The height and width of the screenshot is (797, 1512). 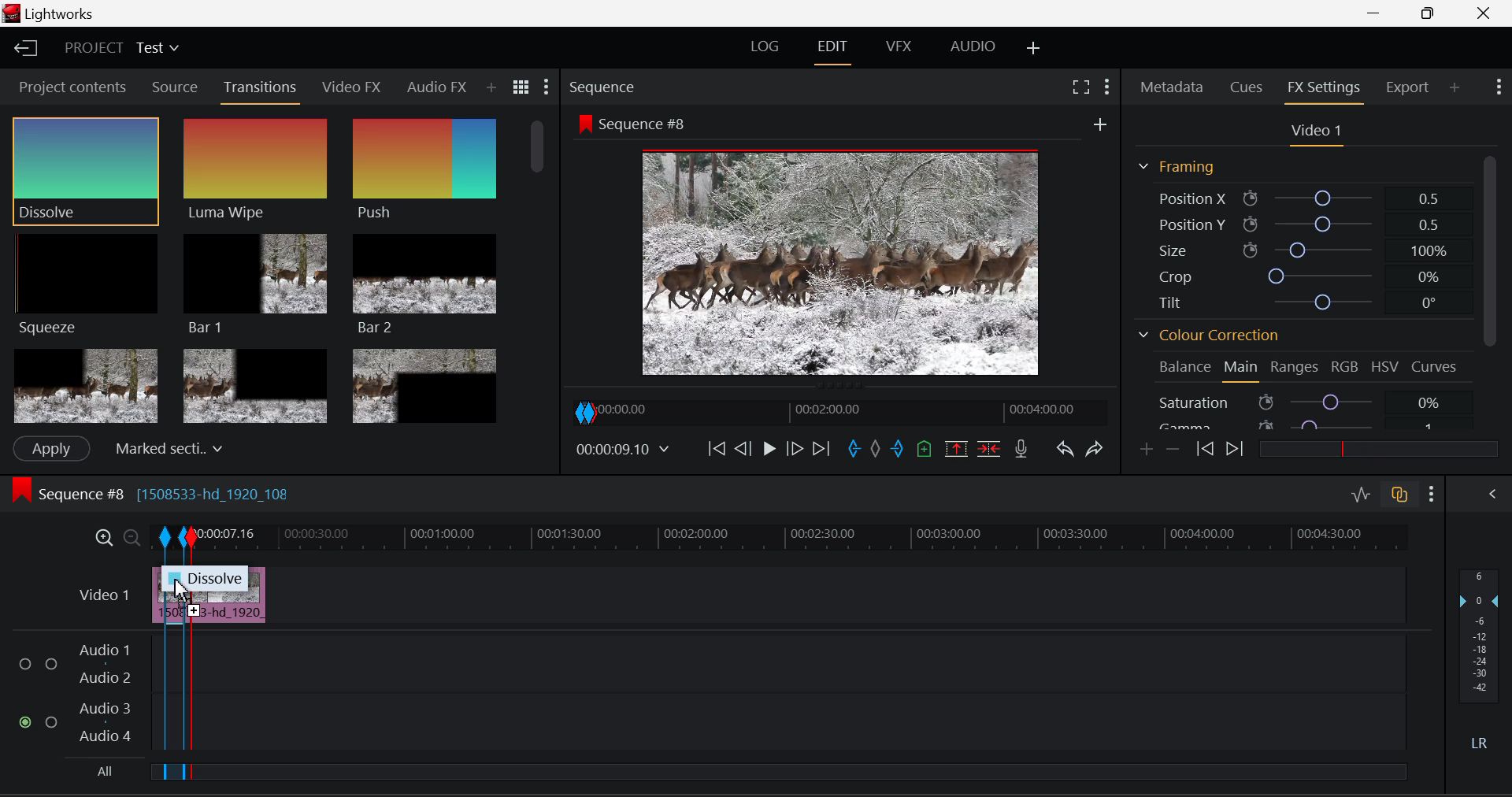 What do you see at coordinates (854, 451) in the screenshot?
I see `Mark In Point` at bounding box center [854, 451].